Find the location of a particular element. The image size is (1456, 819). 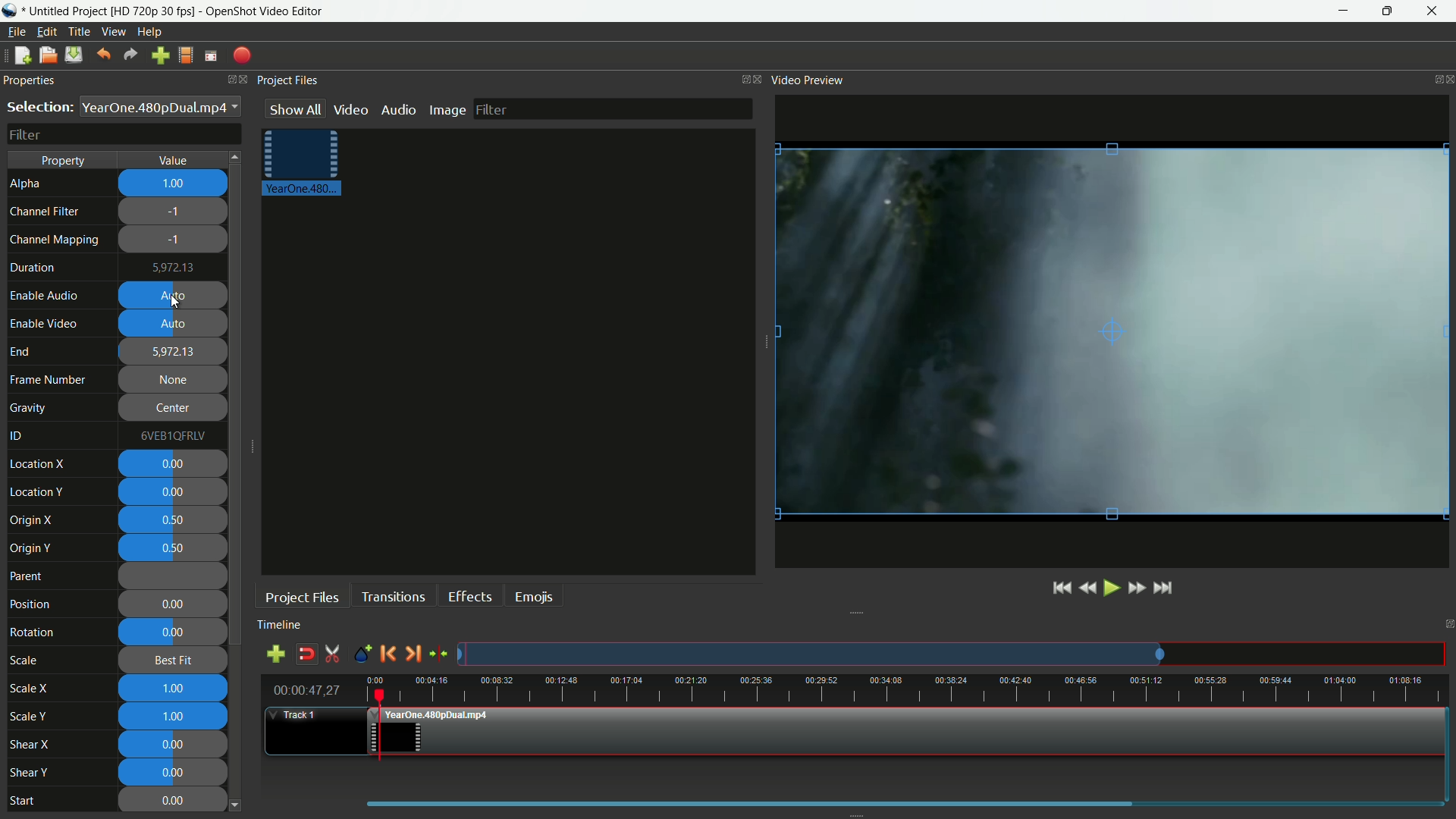

close project files is located at coordinates (756, 78).